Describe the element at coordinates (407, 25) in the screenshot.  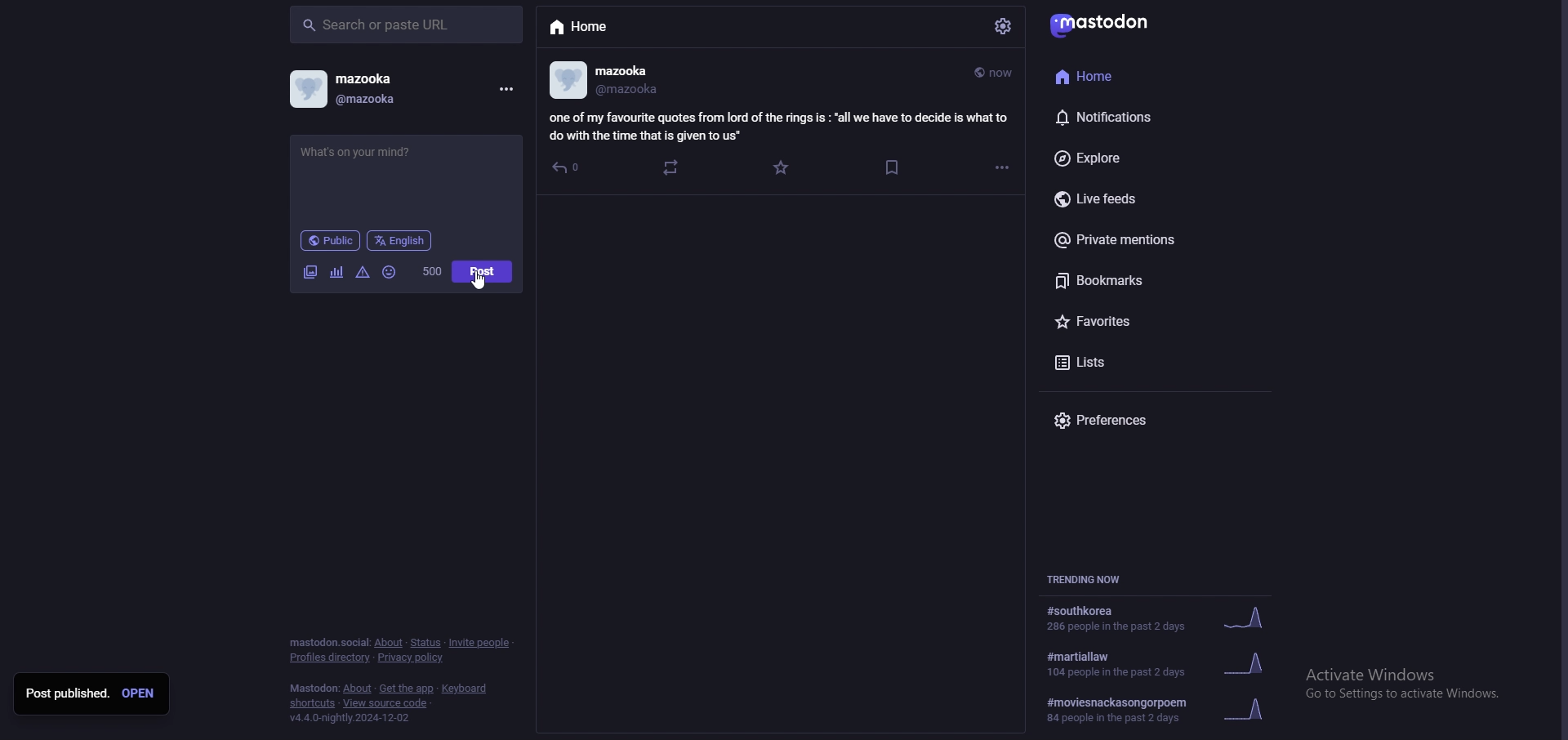
I see `search bar` at that location.